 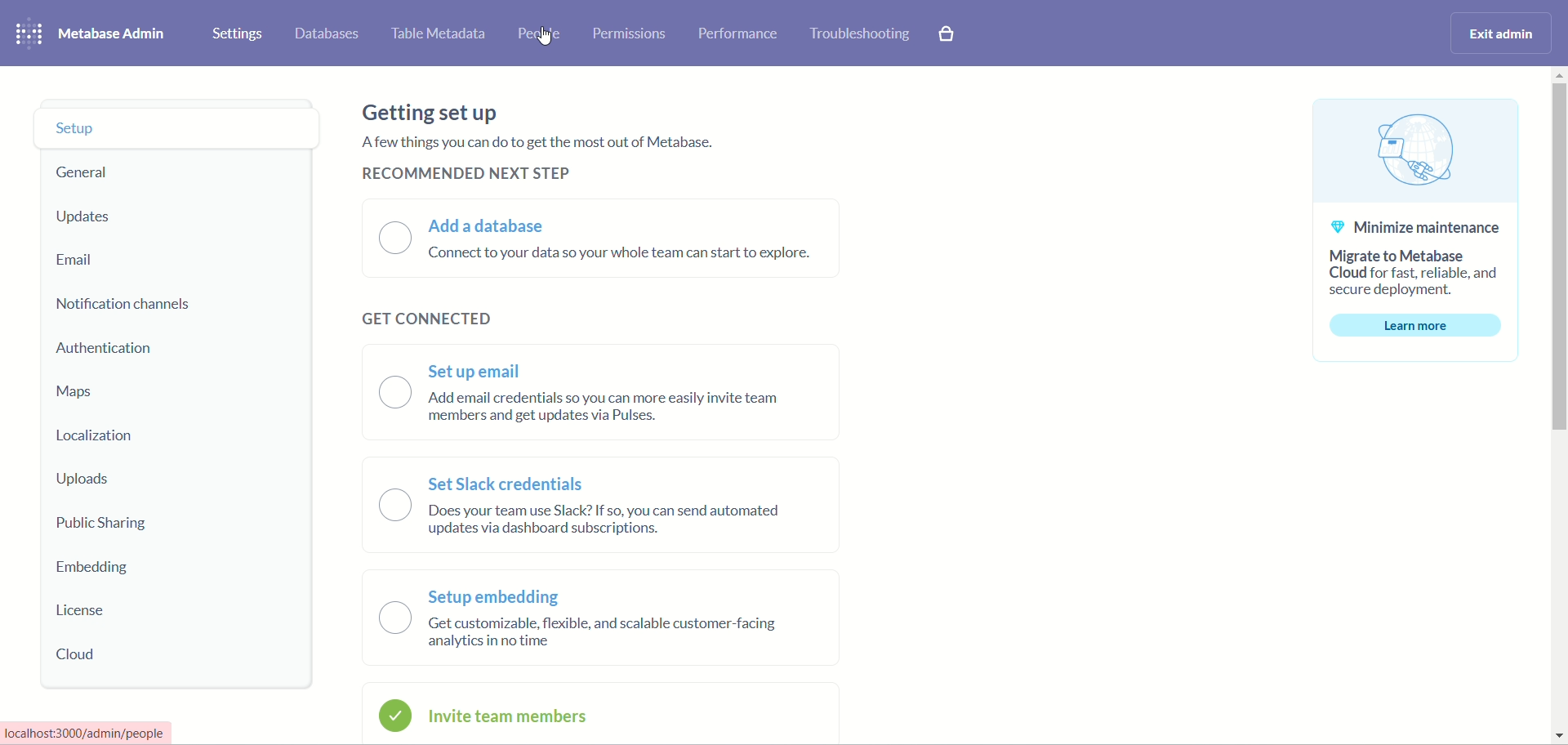 I want to click on email, so click(x=74, y=261).